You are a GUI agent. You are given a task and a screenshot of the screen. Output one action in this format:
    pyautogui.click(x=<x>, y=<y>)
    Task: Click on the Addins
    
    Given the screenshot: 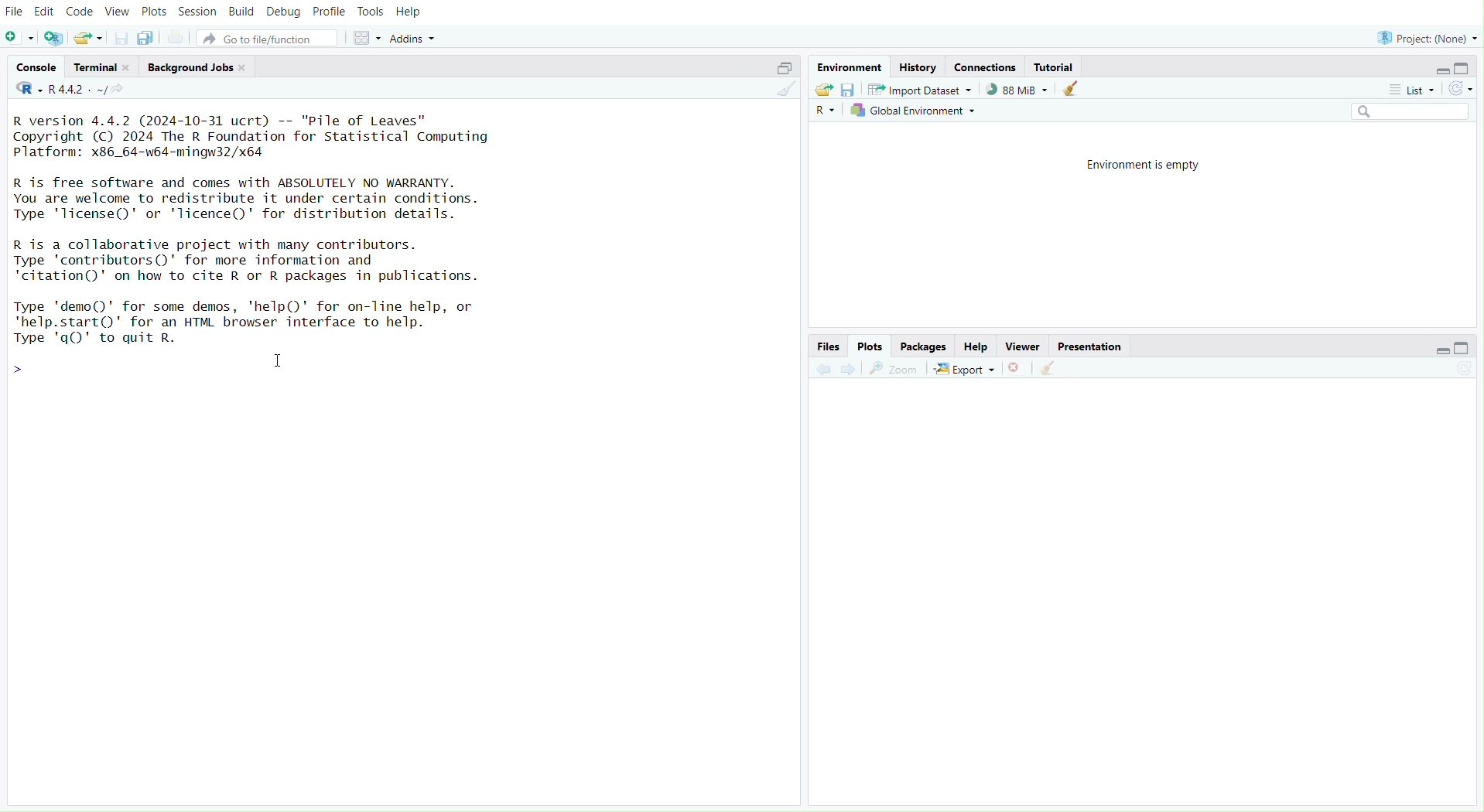 What is the action you would take?
    pyautogui.click(x=419, y=37)
    